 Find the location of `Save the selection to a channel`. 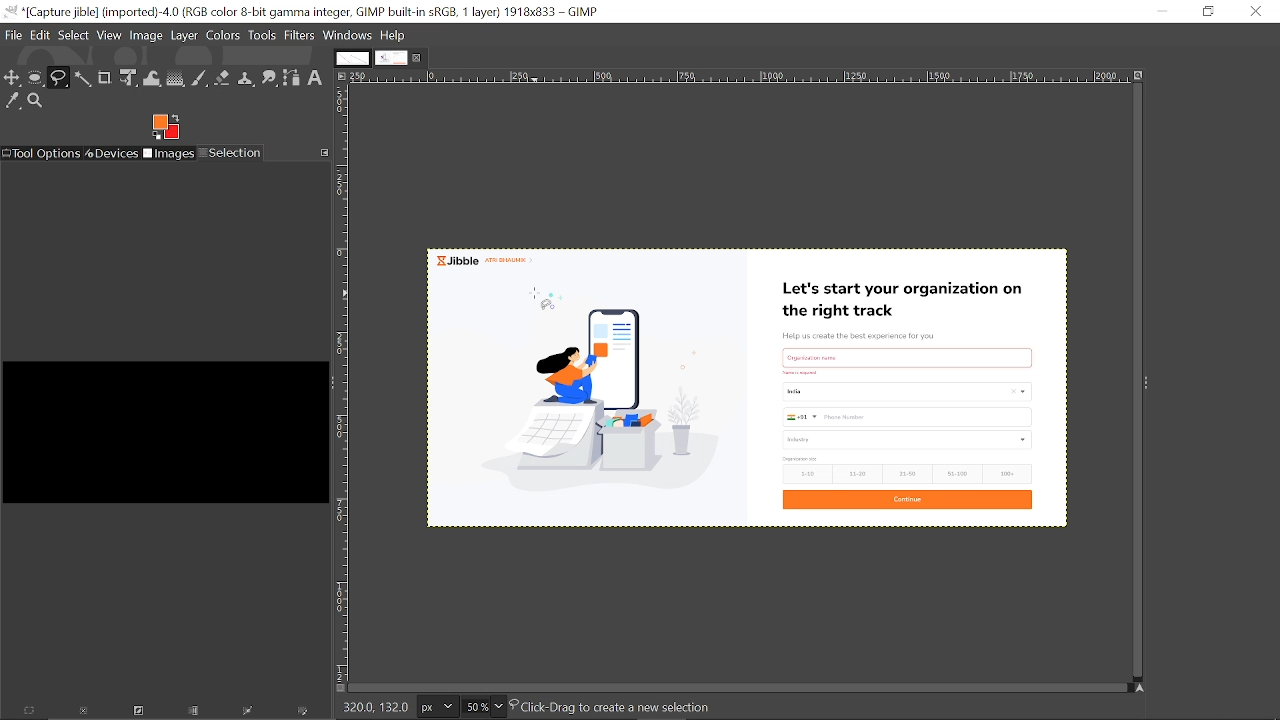

Save the selection to a channel is located at coordinates (195, 712).